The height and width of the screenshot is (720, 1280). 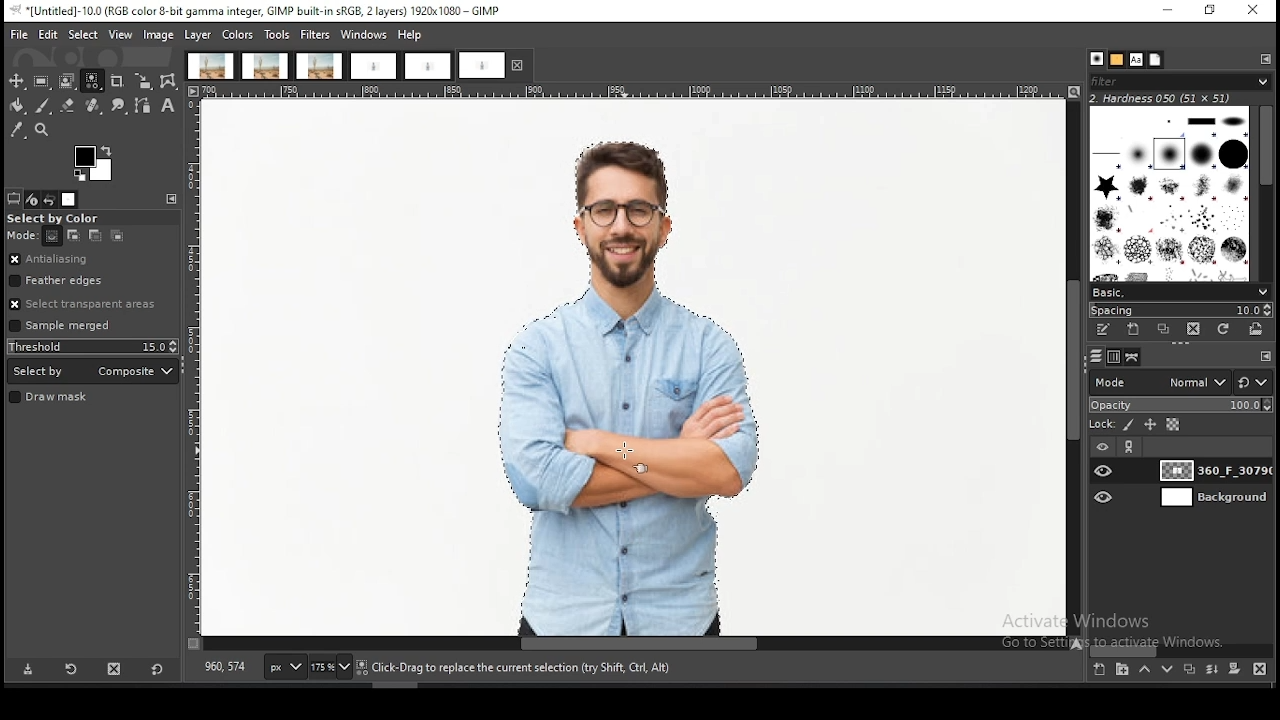 I want to click on layer, so click(x=198, y=35).